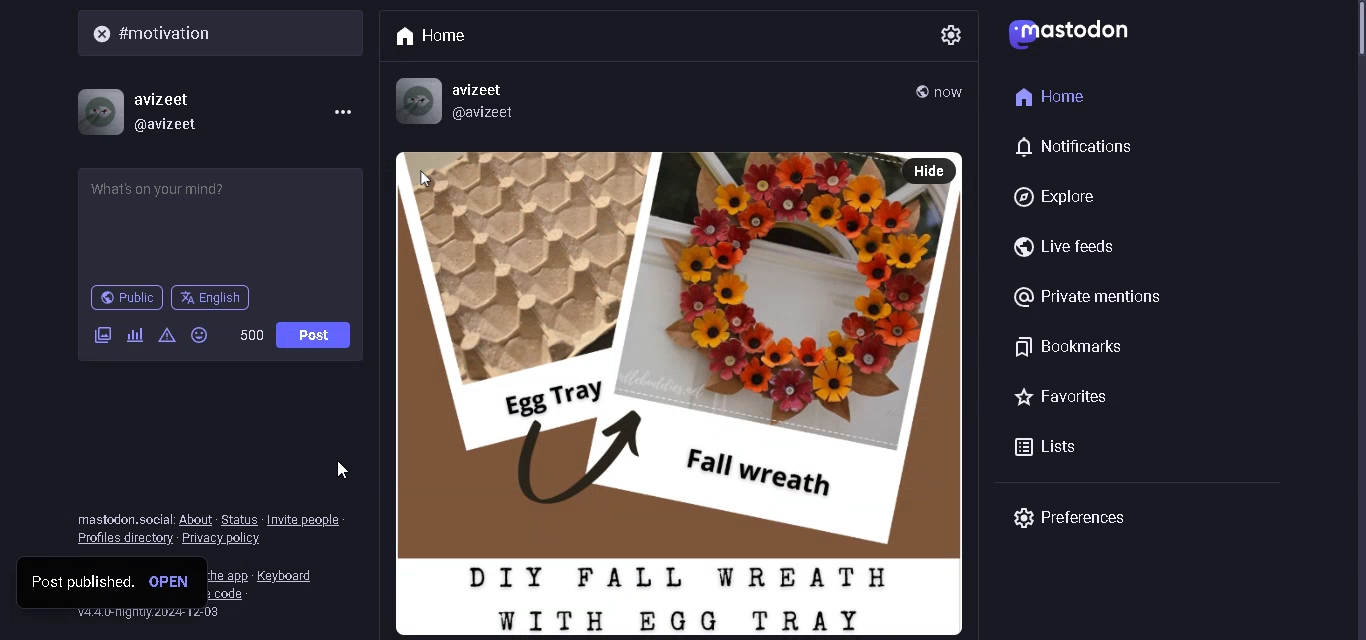  I want to click on post, so click(316, 338).